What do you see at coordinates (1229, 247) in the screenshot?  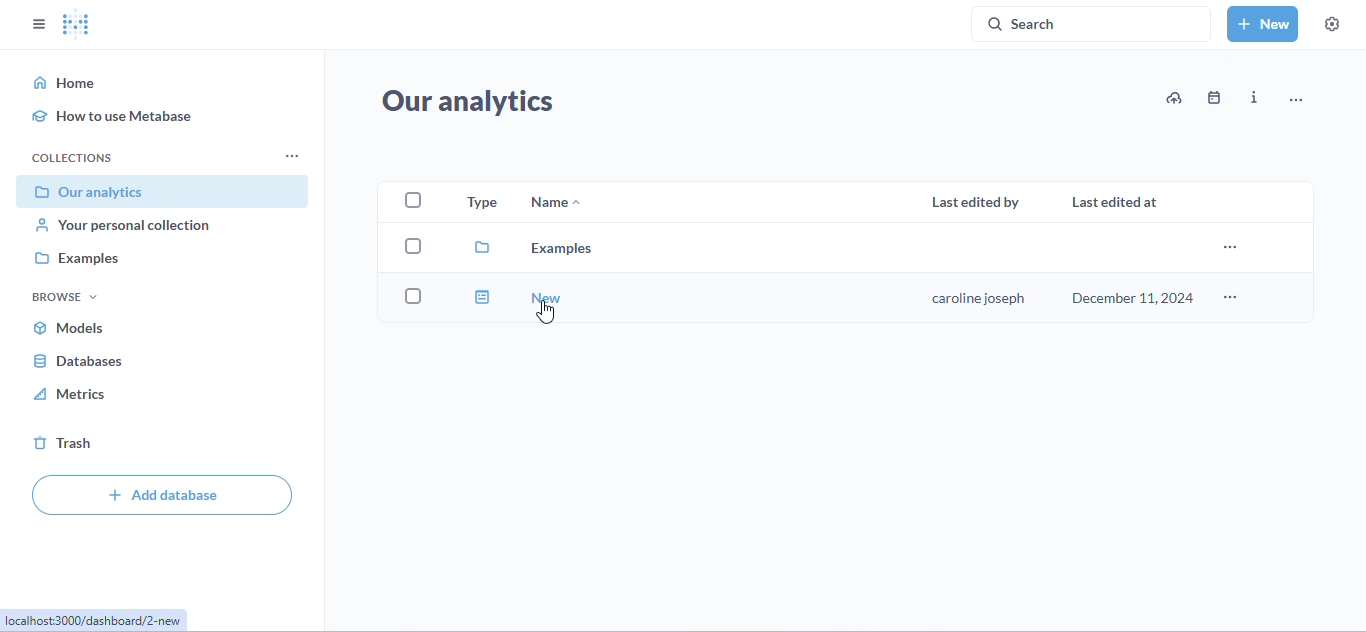 I see `more` at bounding box center [1229, 247].